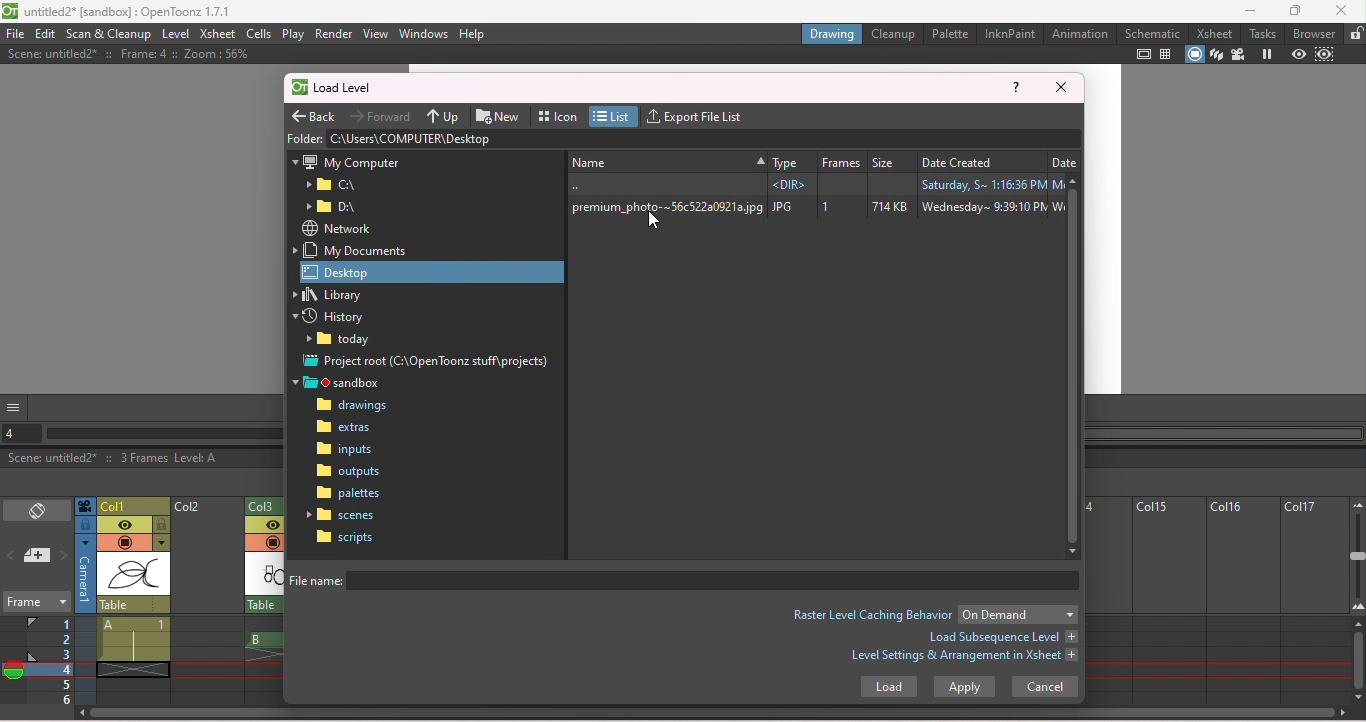 This screenshot has height=722, width=1366. I want to click on Sandbox, so click(344, 383).